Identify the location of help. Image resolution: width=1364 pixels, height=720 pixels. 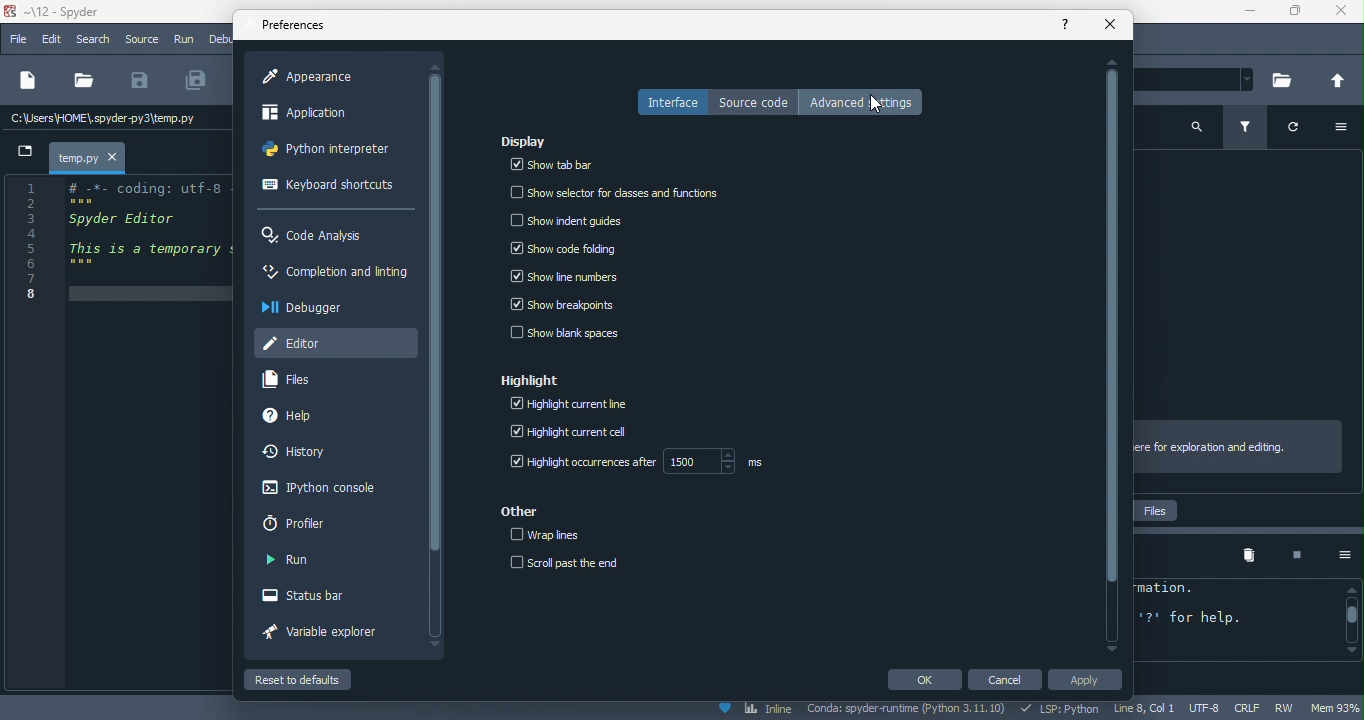
(308, 417).